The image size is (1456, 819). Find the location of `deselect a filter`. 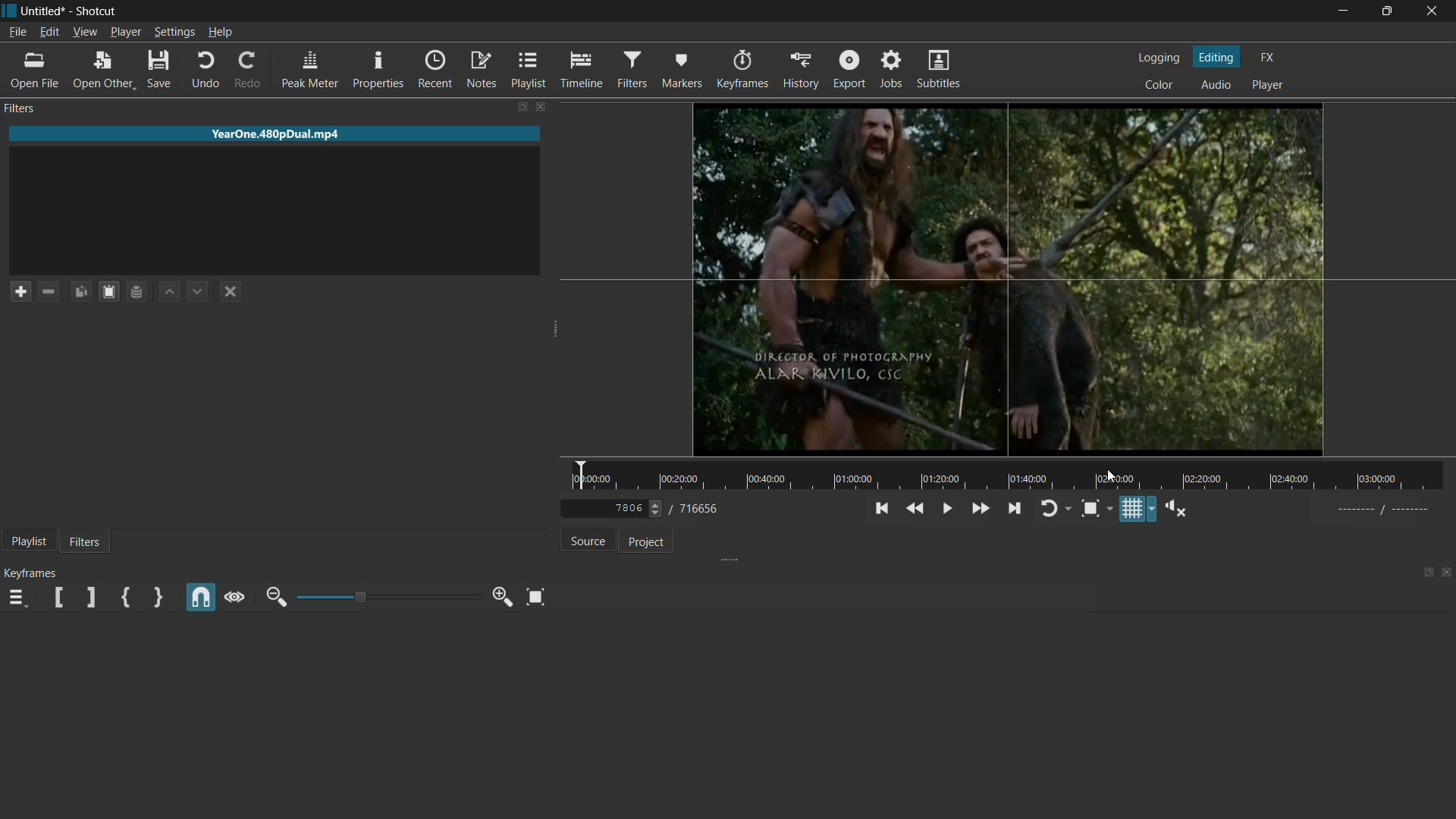

deselect a filter is located at coordinates (232, 291).